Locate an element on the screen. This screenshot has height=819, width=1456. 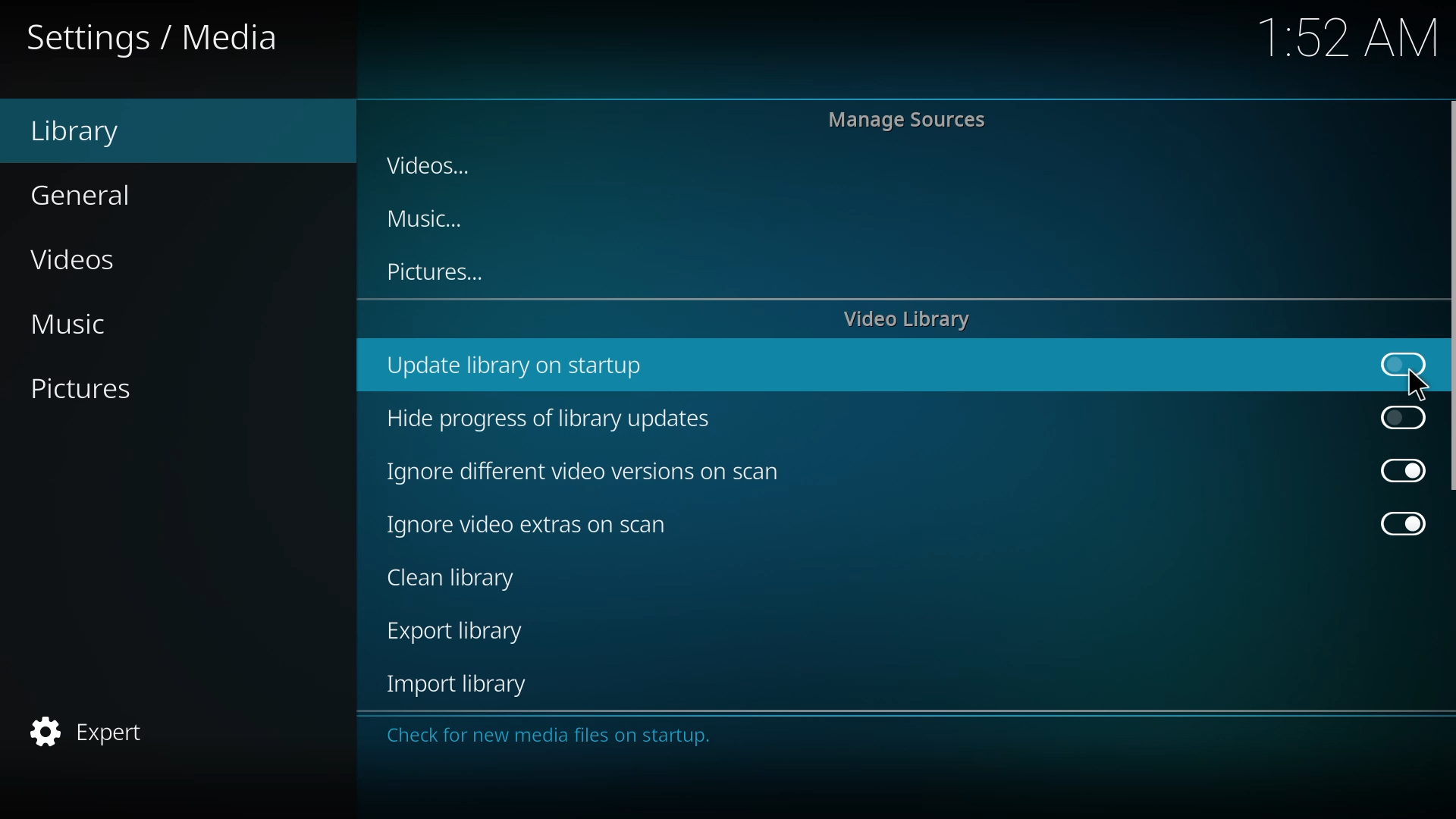
general is located at coordinates (88, 193).